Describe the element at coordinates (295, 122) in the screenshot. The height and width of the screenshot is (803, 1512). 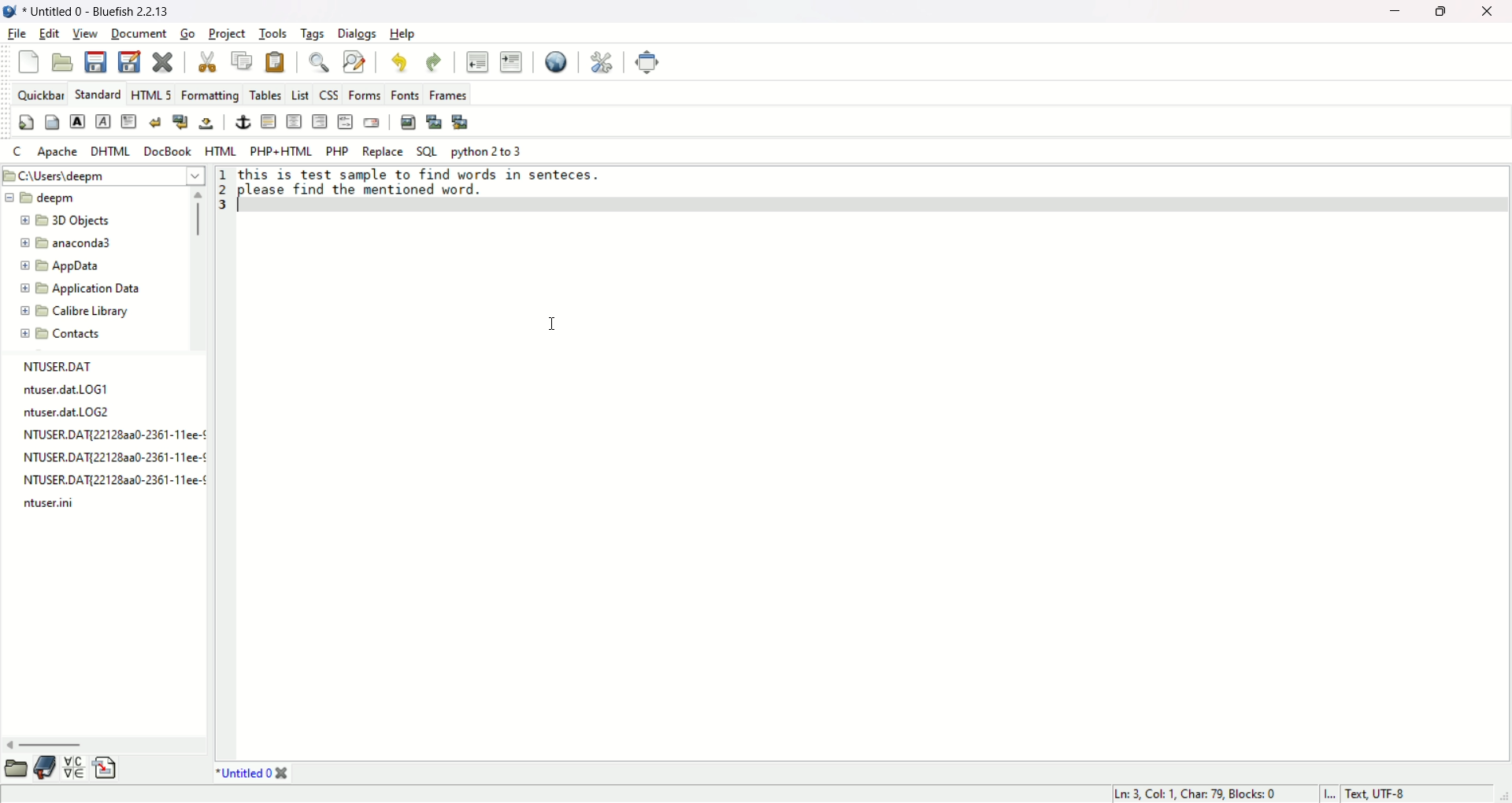
I see `center` at that location.